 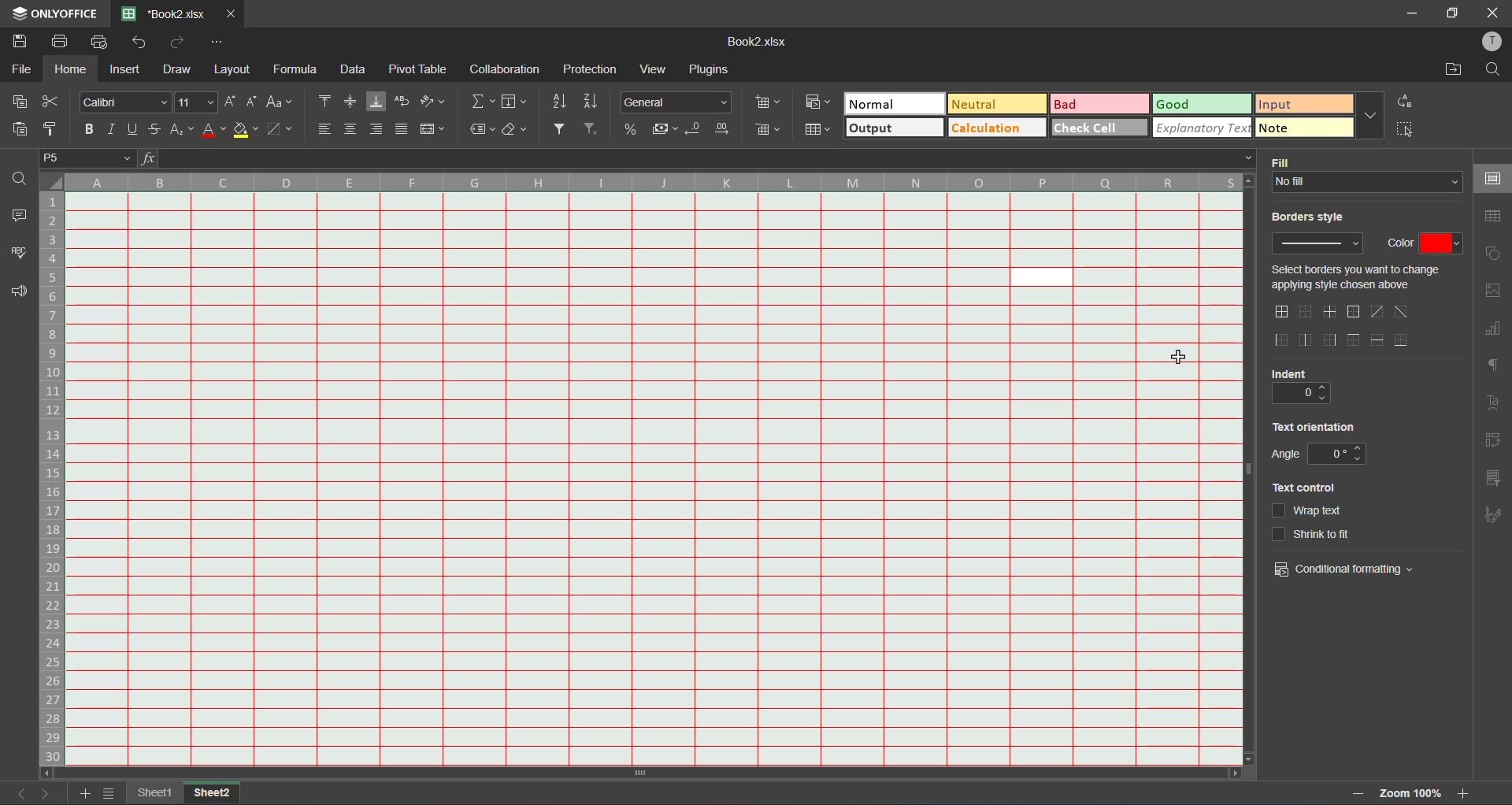 What do you see at coordinates (1365, 276) in the screenshot?
I see `Select borders you want to change applying style chosen above` at bounding box center [1365, 276].